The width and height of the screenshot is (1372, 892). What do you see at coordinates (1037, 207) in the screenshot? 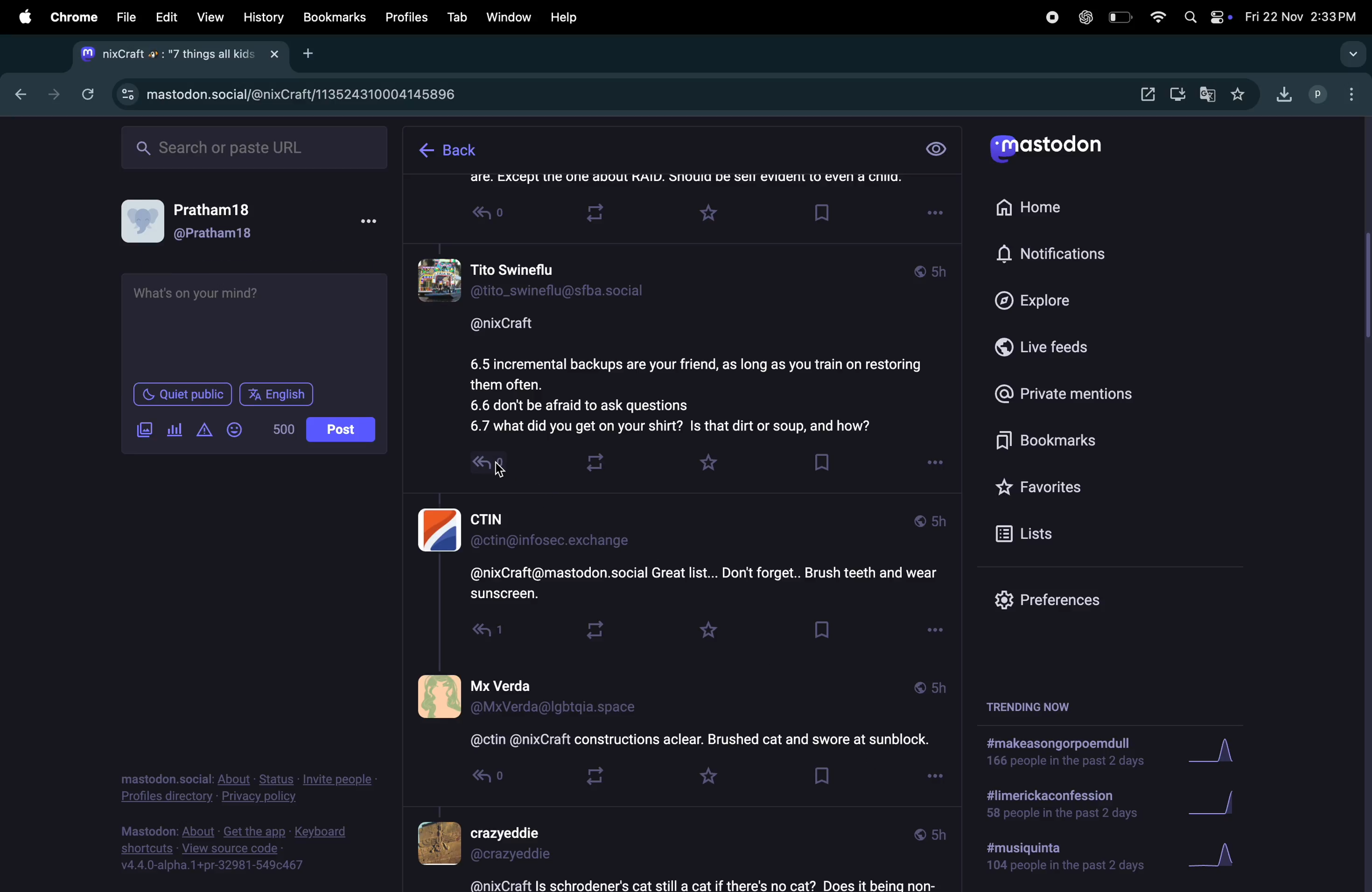
I see `home` at bounding box center [1037, 207].